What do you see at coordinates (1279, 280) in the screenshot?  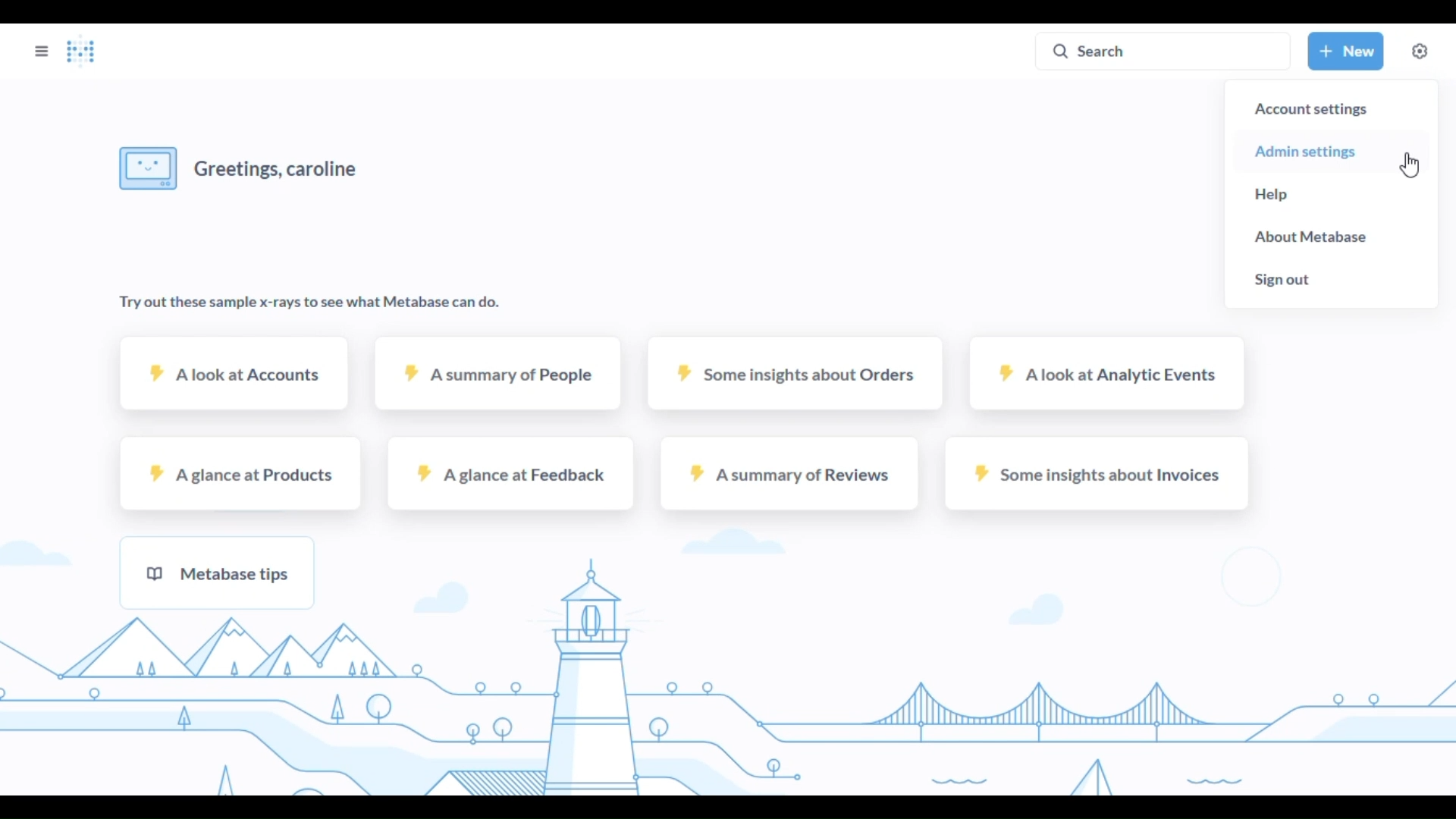 I see `sign out` at bounding box center [1279, 280].